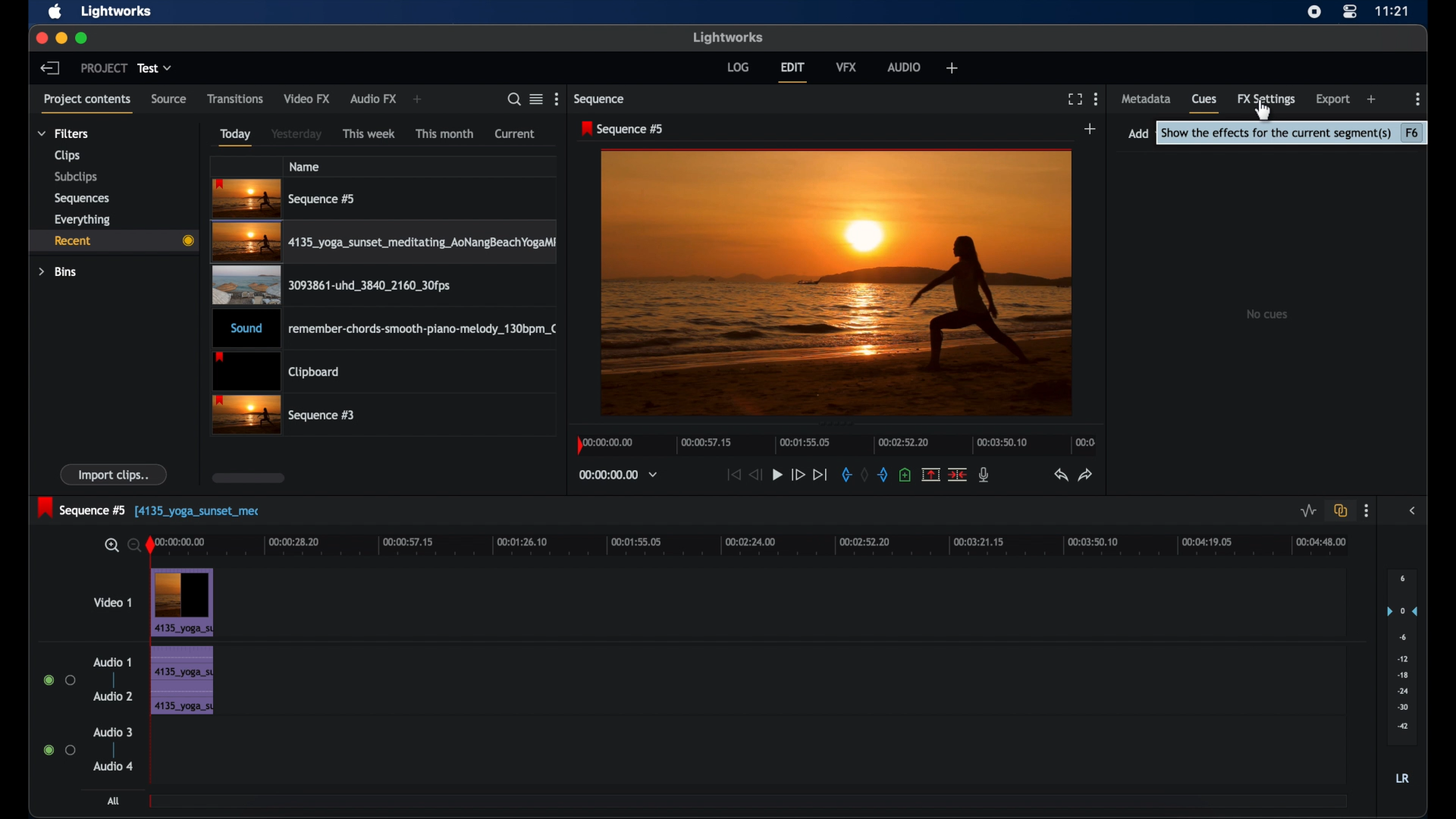  What do you see at coordinates (417, 99) in the screenshot?
I see `add` at bounding box center [417, 99].